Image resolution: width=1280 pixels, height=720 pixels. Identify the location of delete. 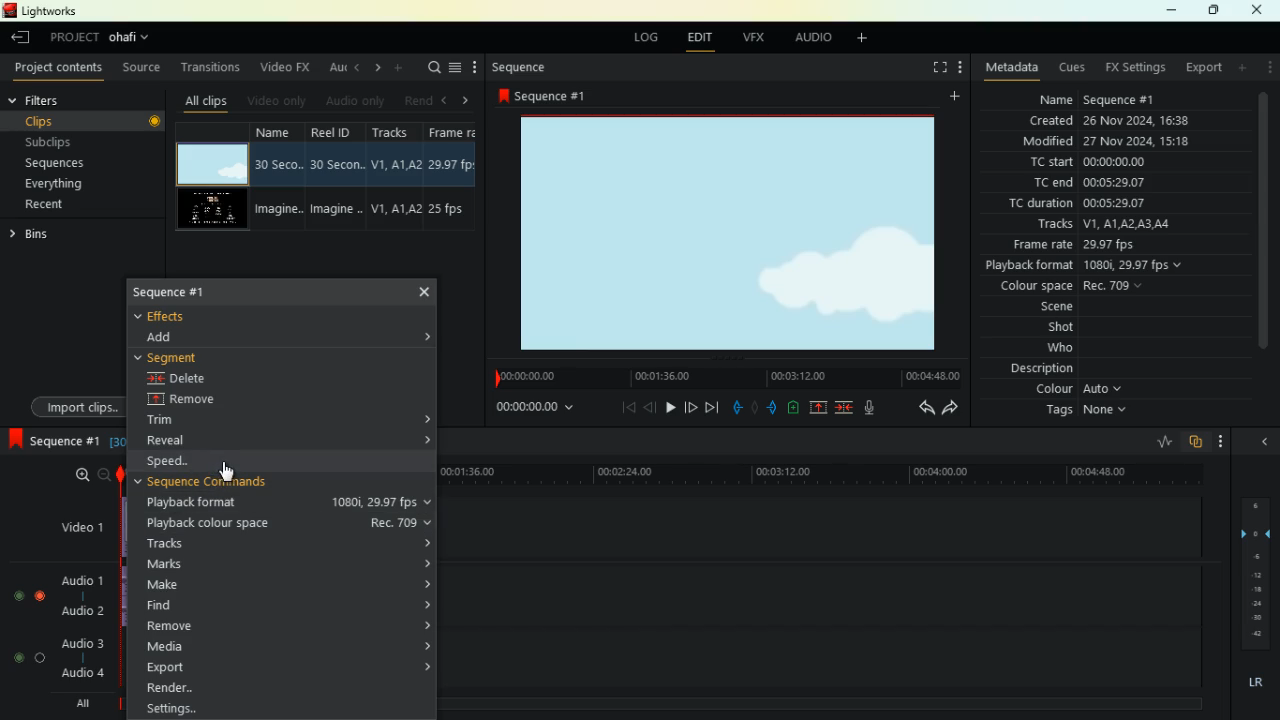
(189, 378).